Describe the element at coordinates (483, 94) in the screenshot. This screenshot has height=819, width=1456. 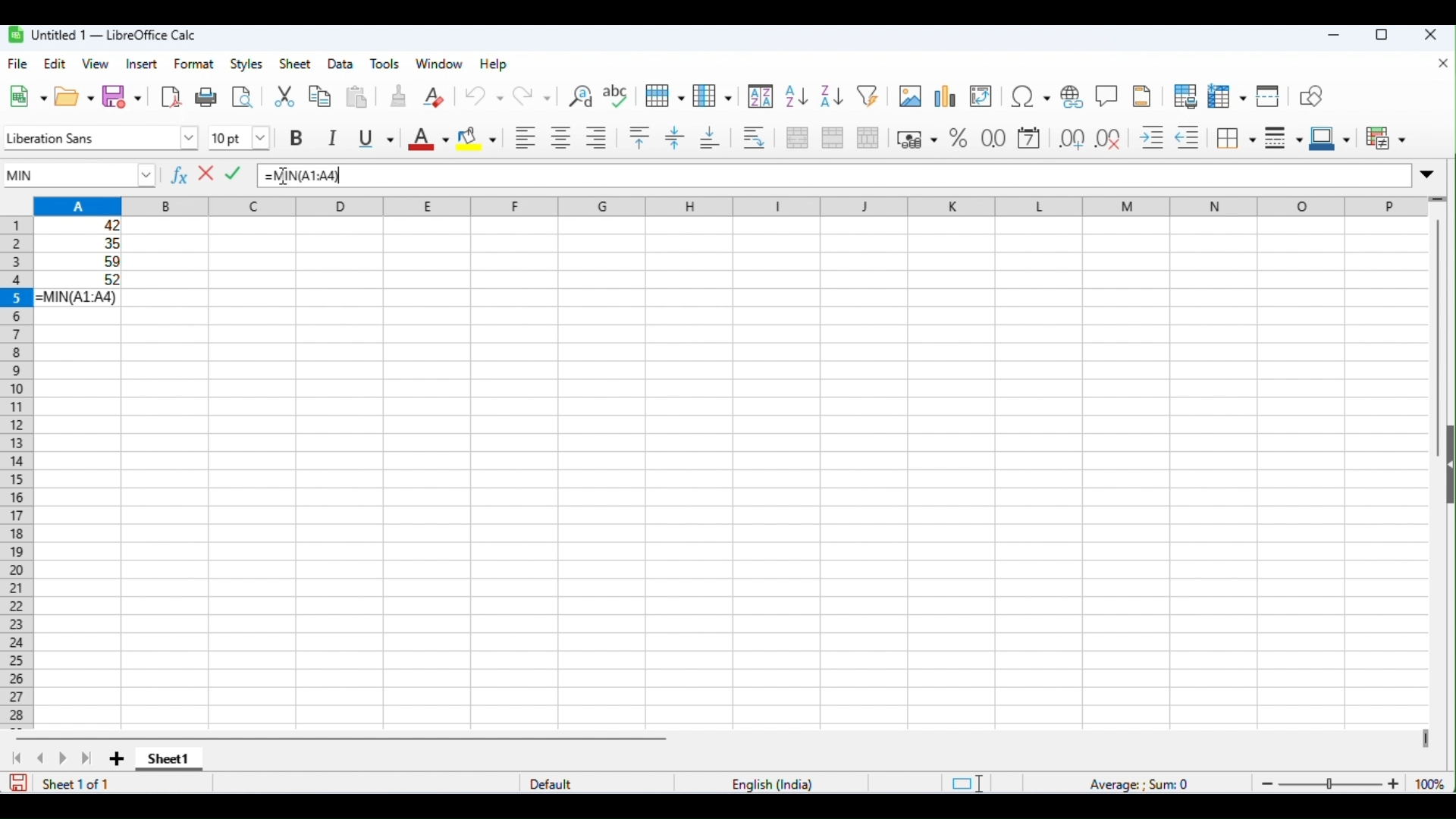
I see `undo` at that location.